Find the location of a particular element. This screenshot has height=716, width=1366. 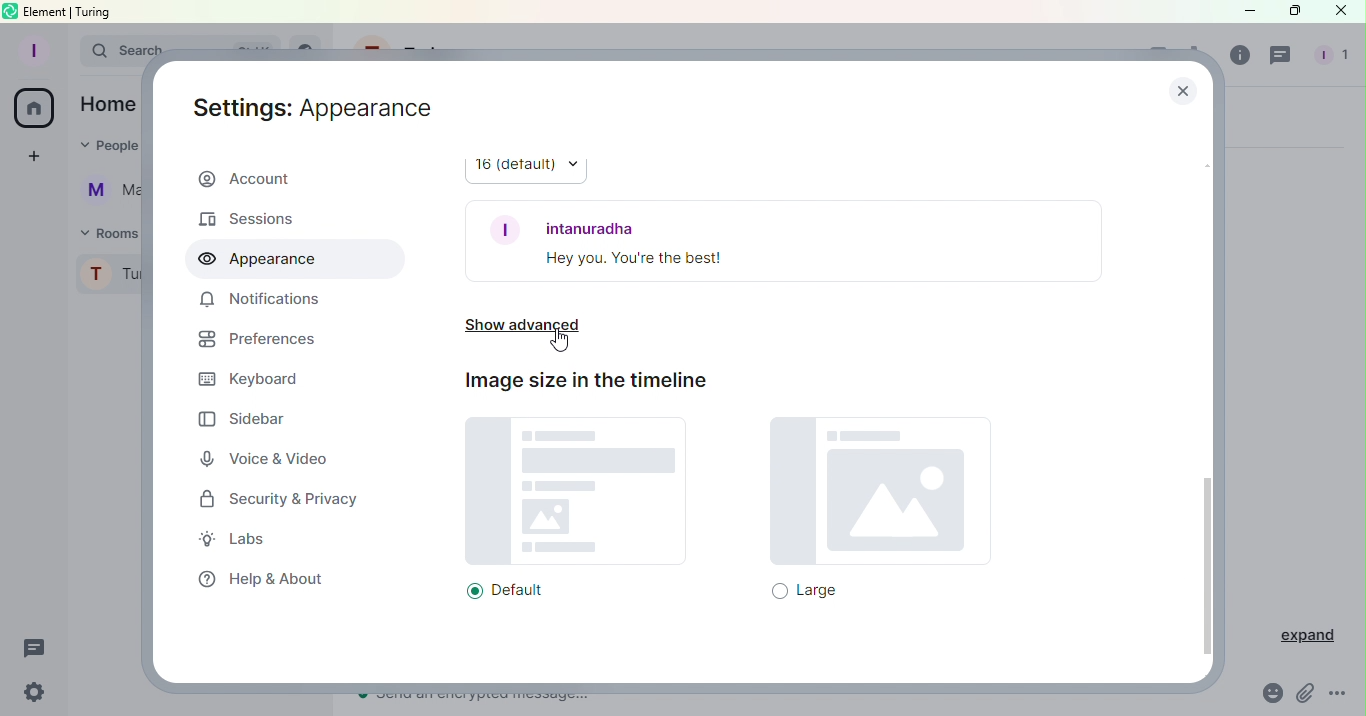

Prefrences is located at coordinates (254, 340).